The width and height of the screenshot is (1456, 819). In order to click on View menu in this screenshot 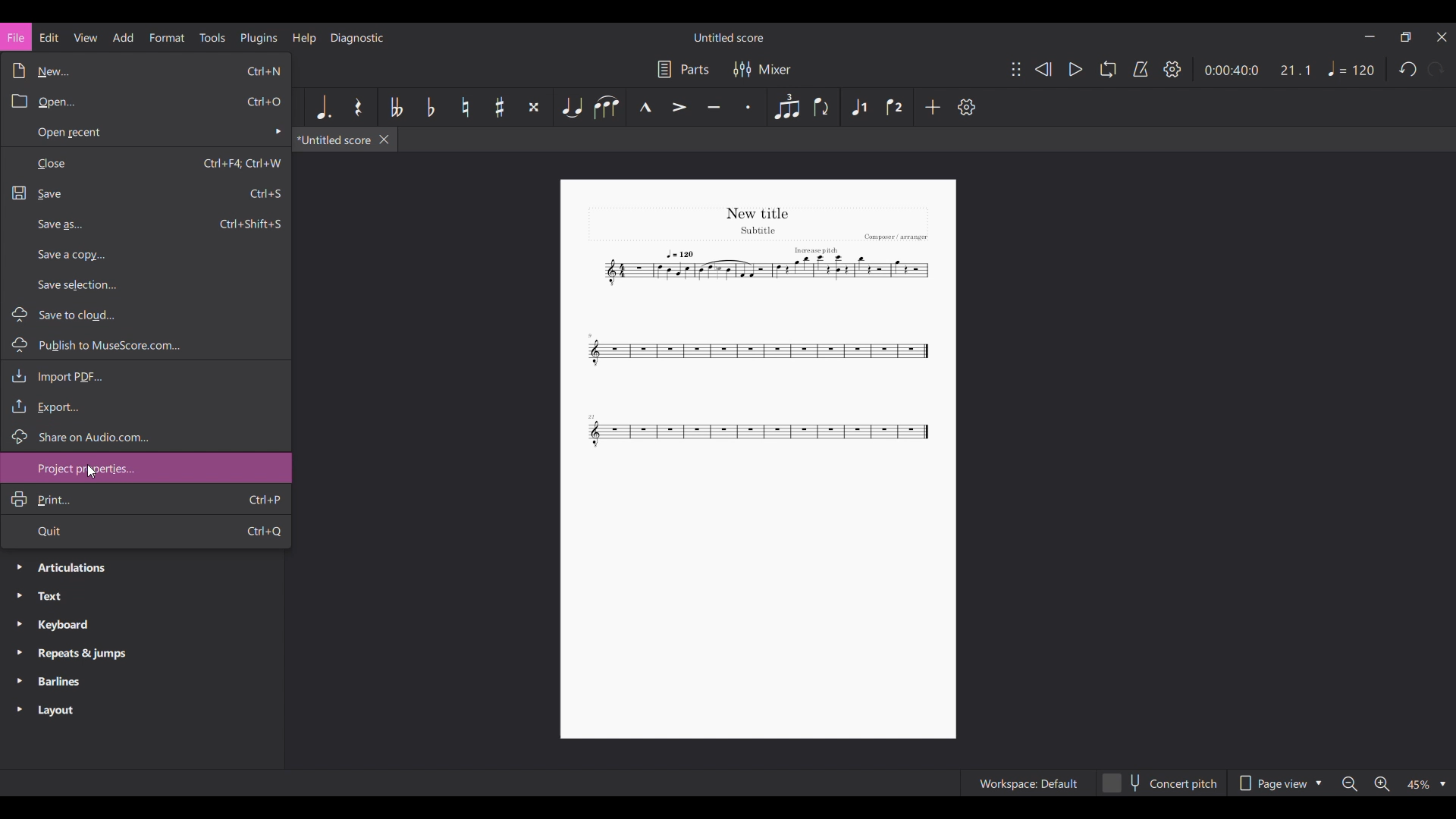, I will do `click(86, 37)`.